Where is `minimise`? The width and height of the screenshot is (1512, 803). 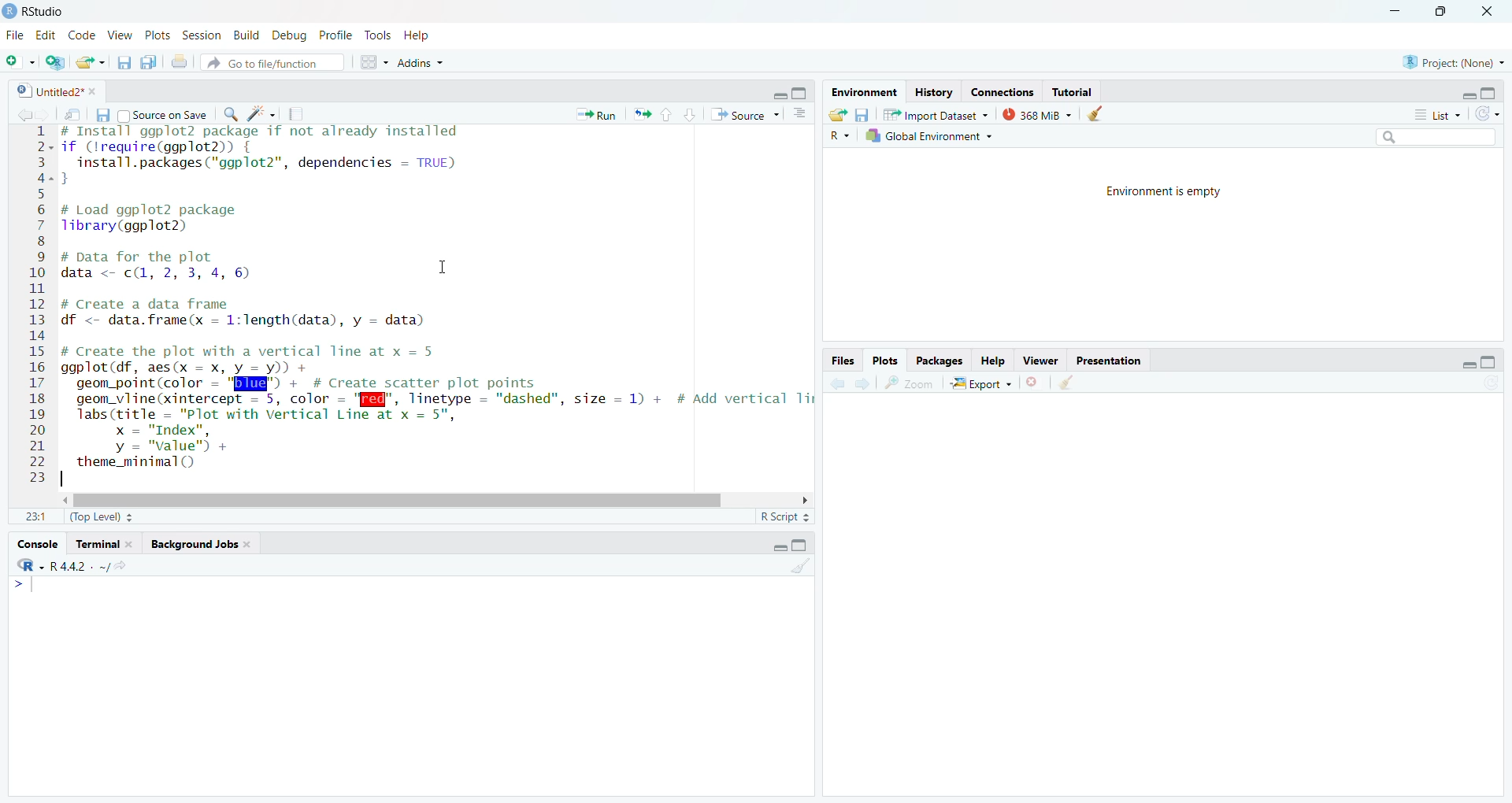
minimise is located at coordinates (1467, 364).